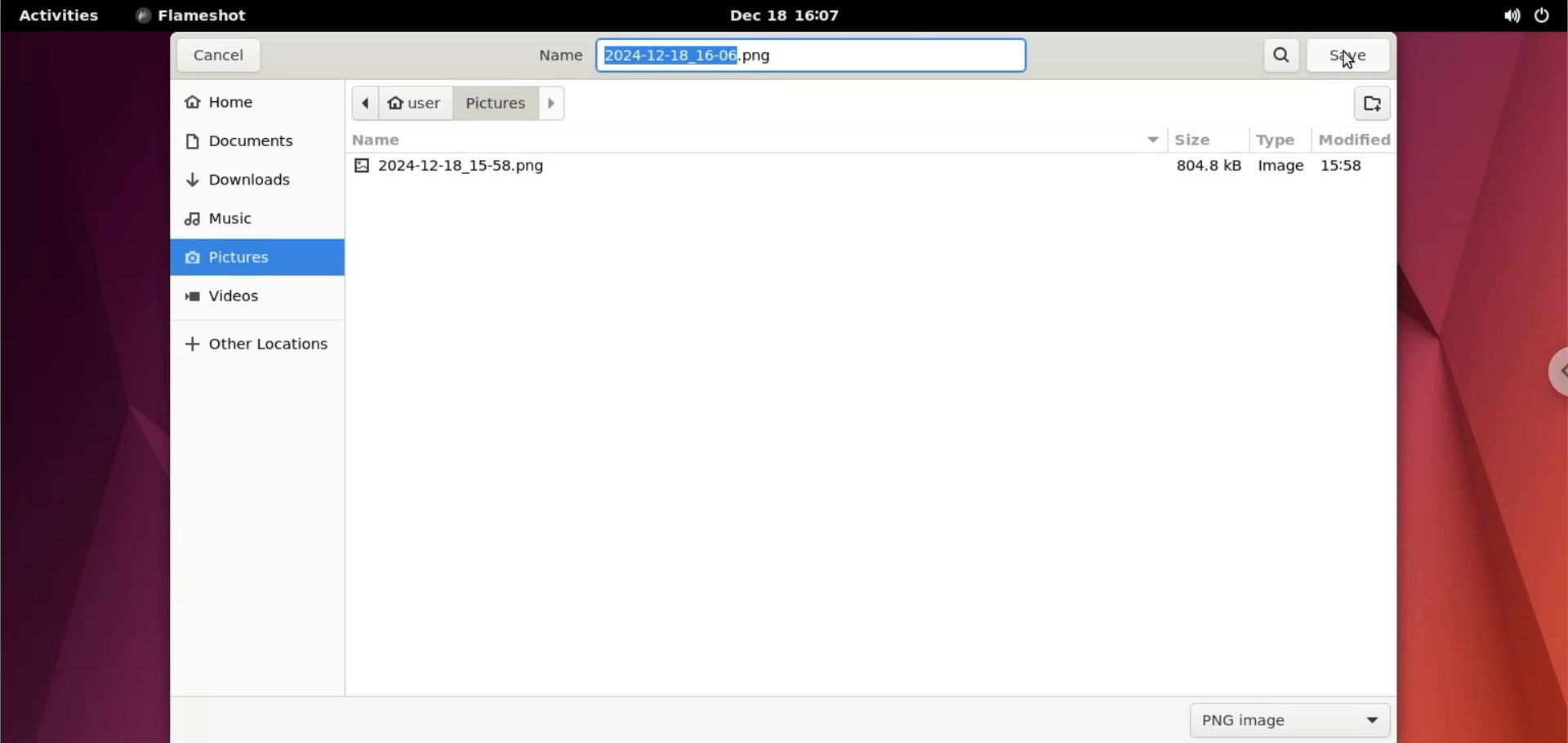 This screenshot has height=743, width=1568. I want to click on sort by size, so click(1149, 141).